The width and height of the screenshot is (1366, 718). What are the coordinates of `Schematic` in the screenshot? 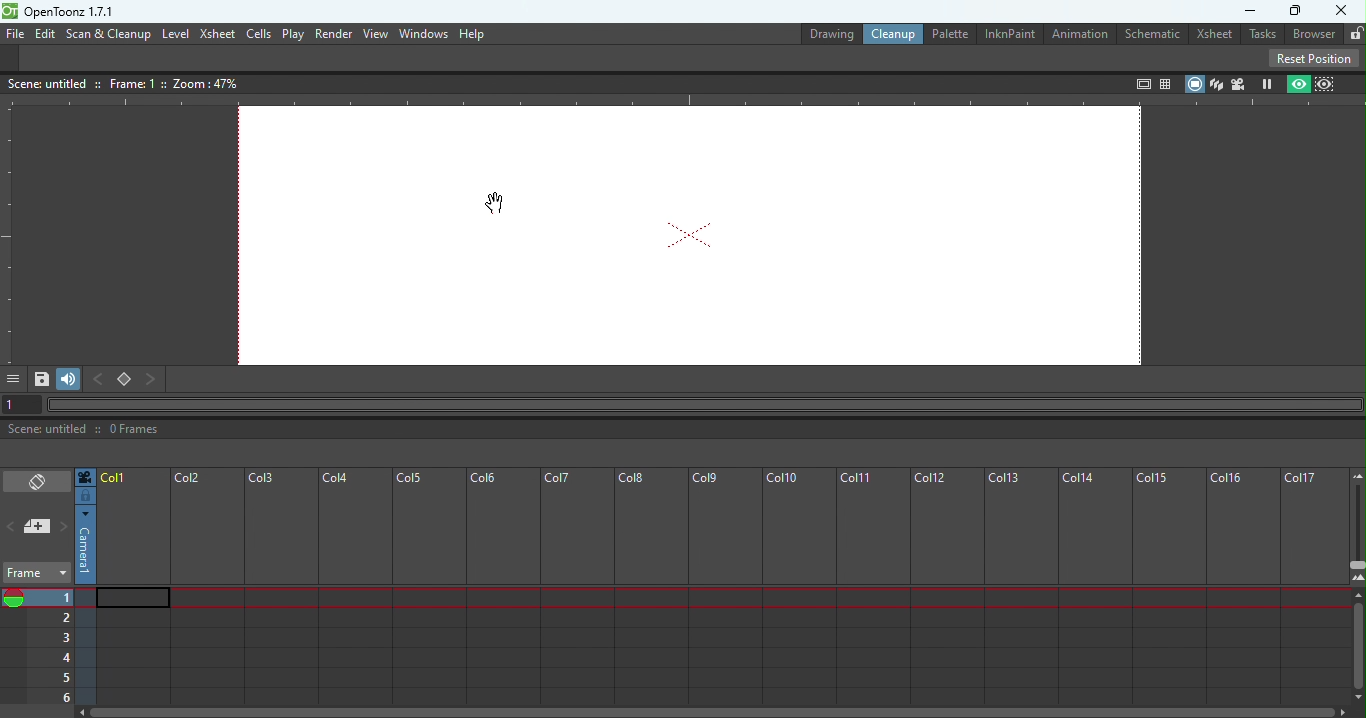 It's located at (1155, 32).